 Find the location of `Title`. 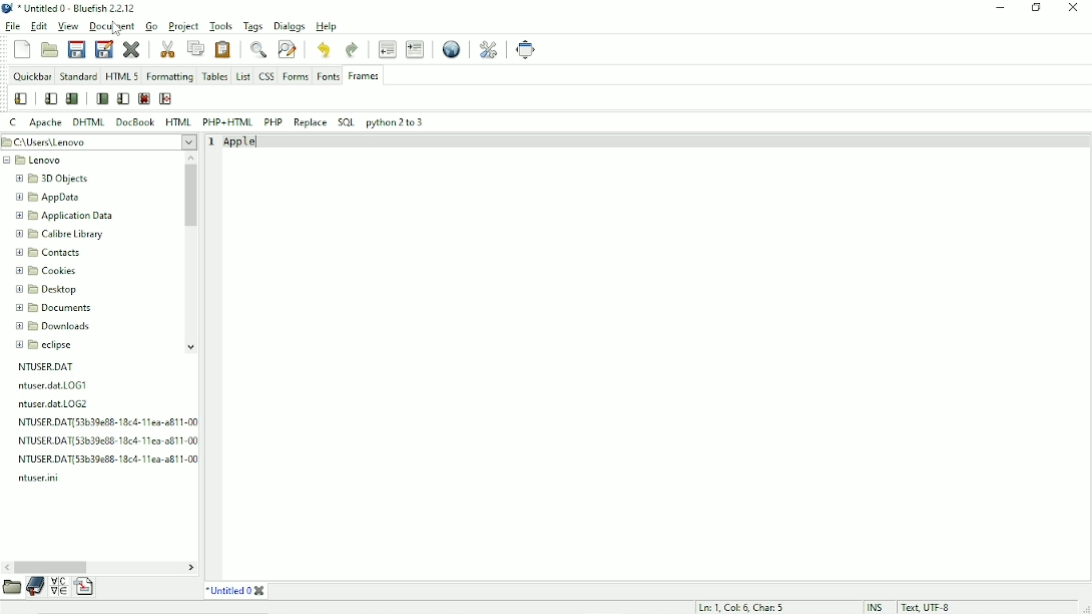

Title is located at coordinates (237, 591).